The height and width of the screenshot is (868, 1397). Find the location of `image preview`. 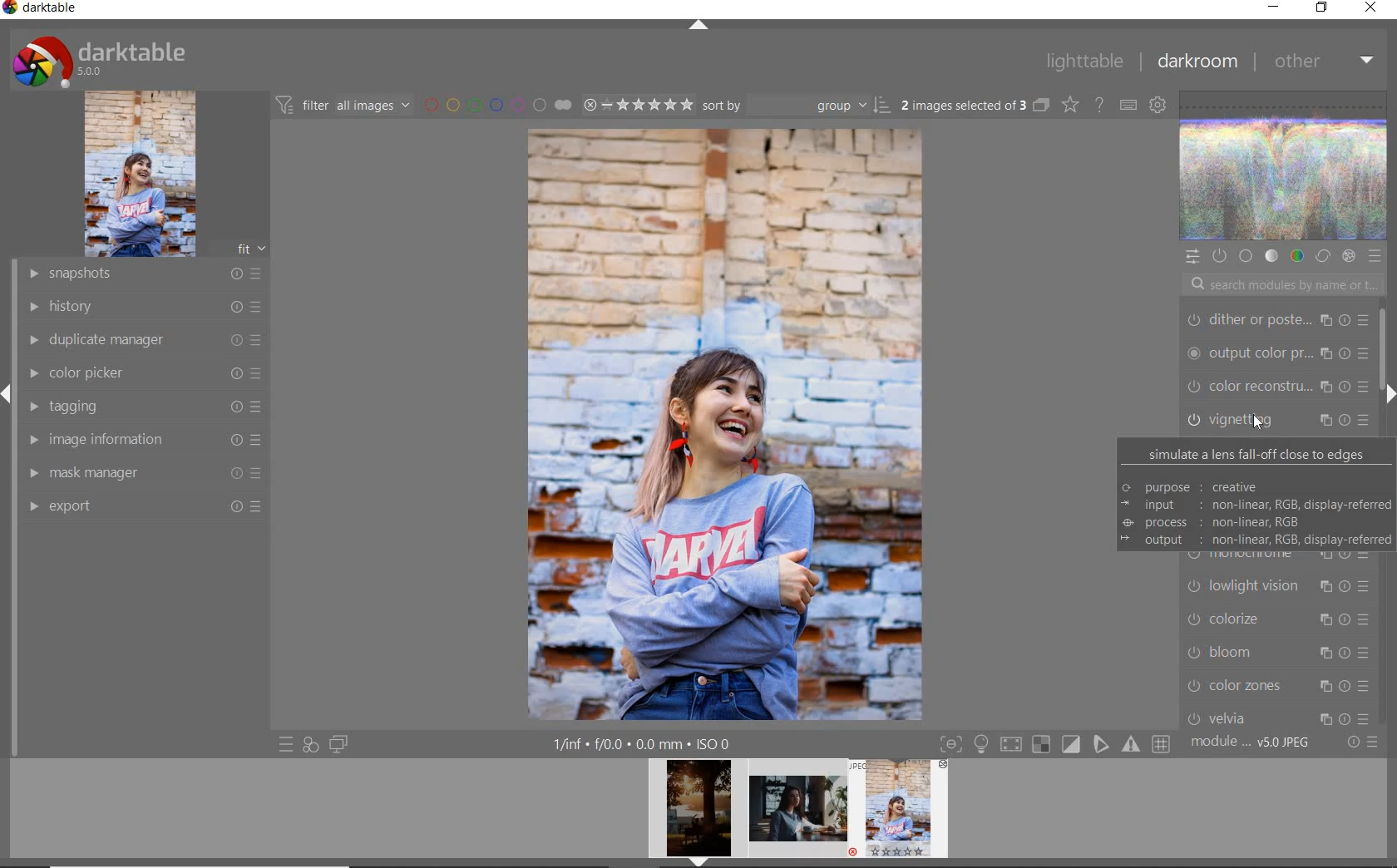

image preview is located at coordinates (798, 813).